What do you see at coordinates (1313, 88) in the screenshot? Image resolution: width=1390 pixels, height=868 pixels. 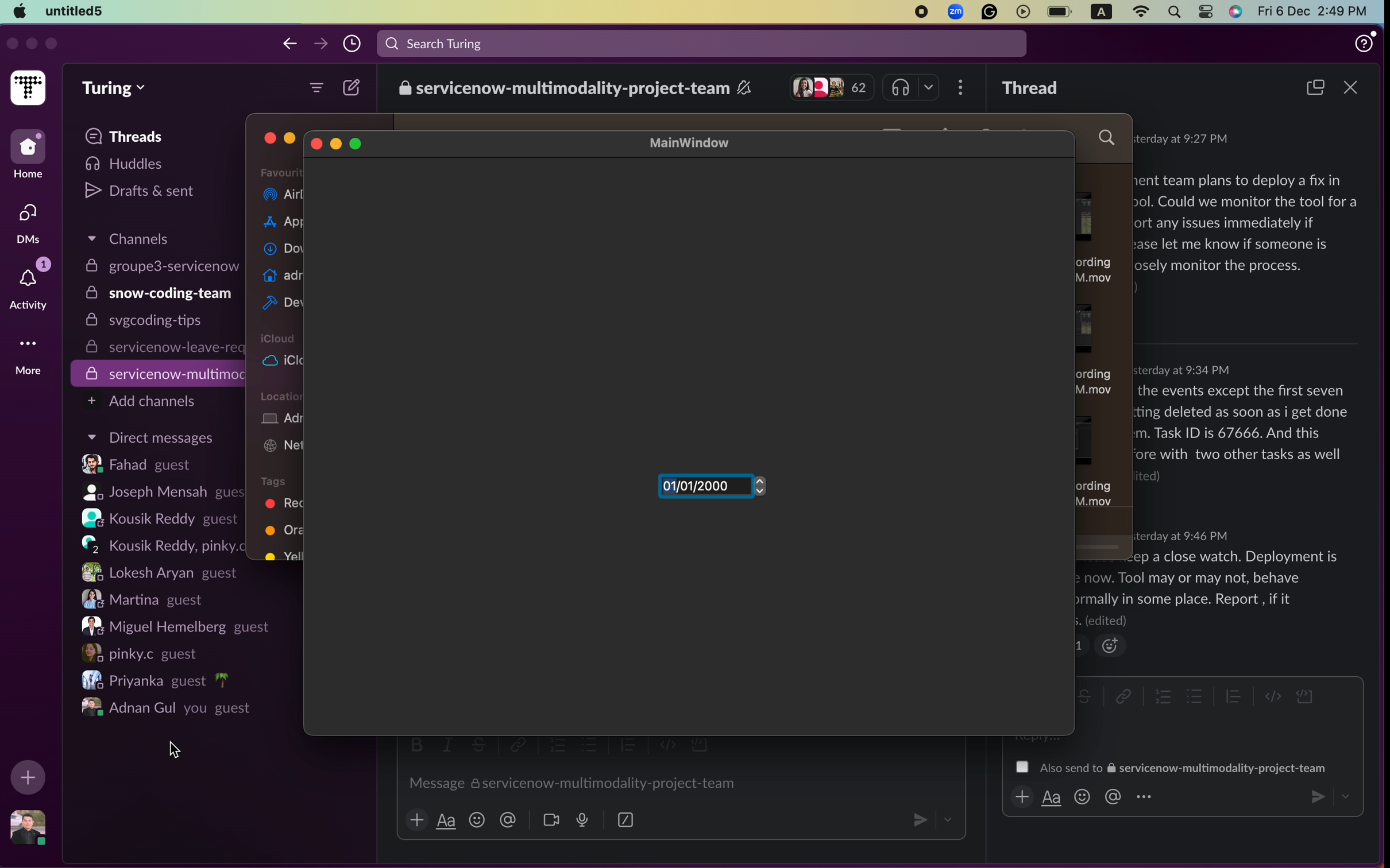 I see `copy` at bounding box center [1313, 88].